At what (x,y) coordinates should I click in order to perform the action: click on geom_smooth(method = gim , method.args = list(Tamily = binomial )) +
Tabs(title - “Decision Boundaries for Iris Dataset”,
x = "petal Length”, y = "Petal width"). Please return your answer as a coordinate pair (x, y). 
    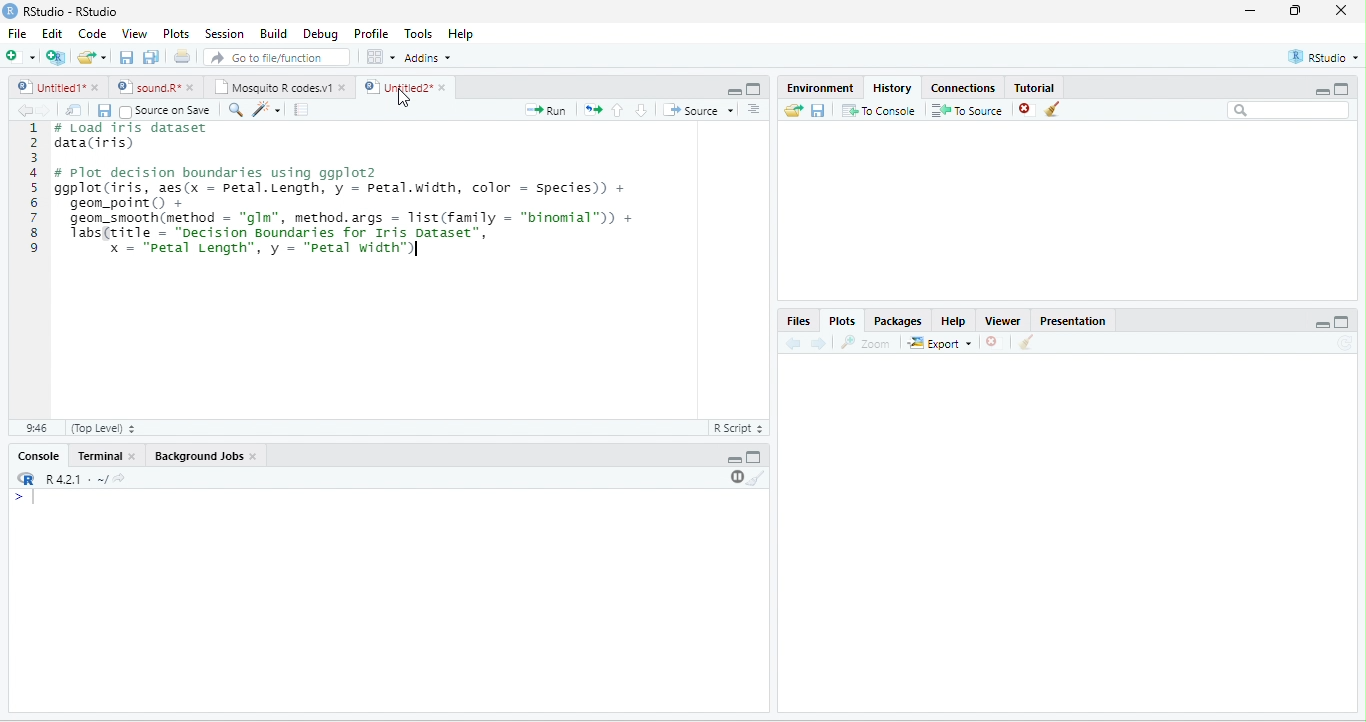
    Looking at the image, I should click on (353, 237).